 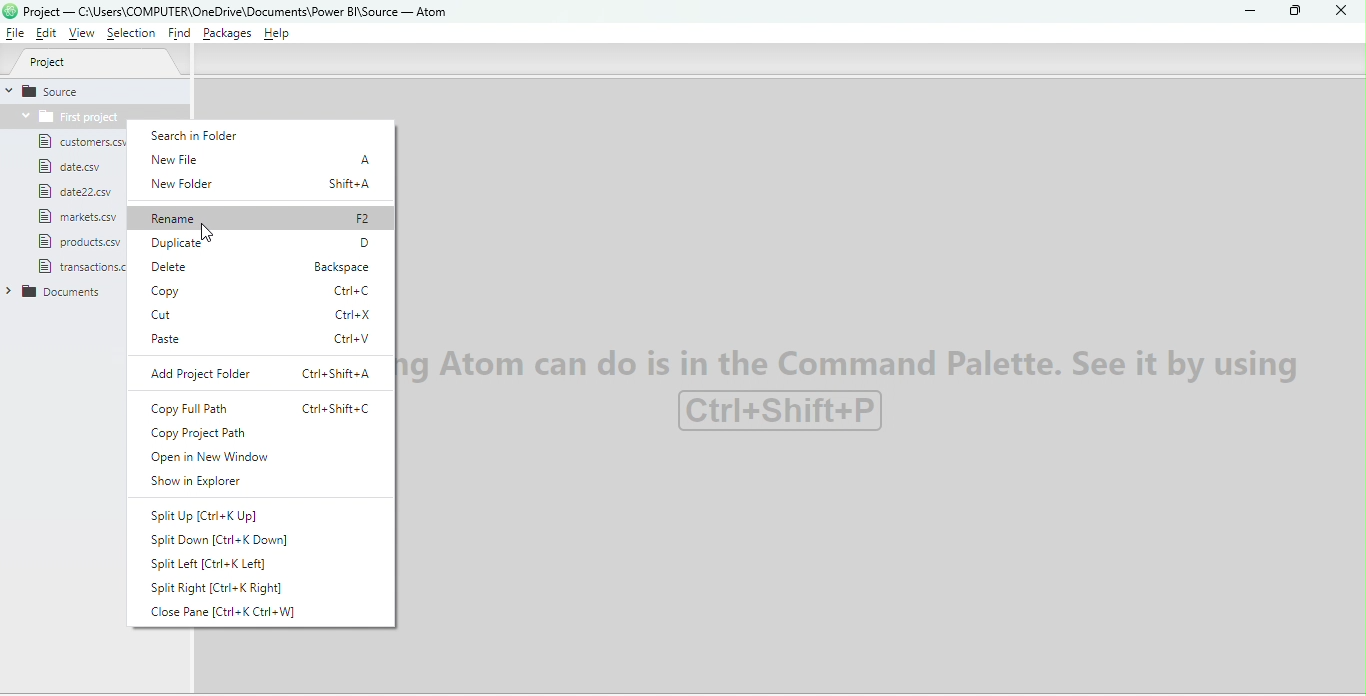 What do you see at coordinates (67, 116) in the screenshot?
I see `Folder` at bounding box center [67, 116].